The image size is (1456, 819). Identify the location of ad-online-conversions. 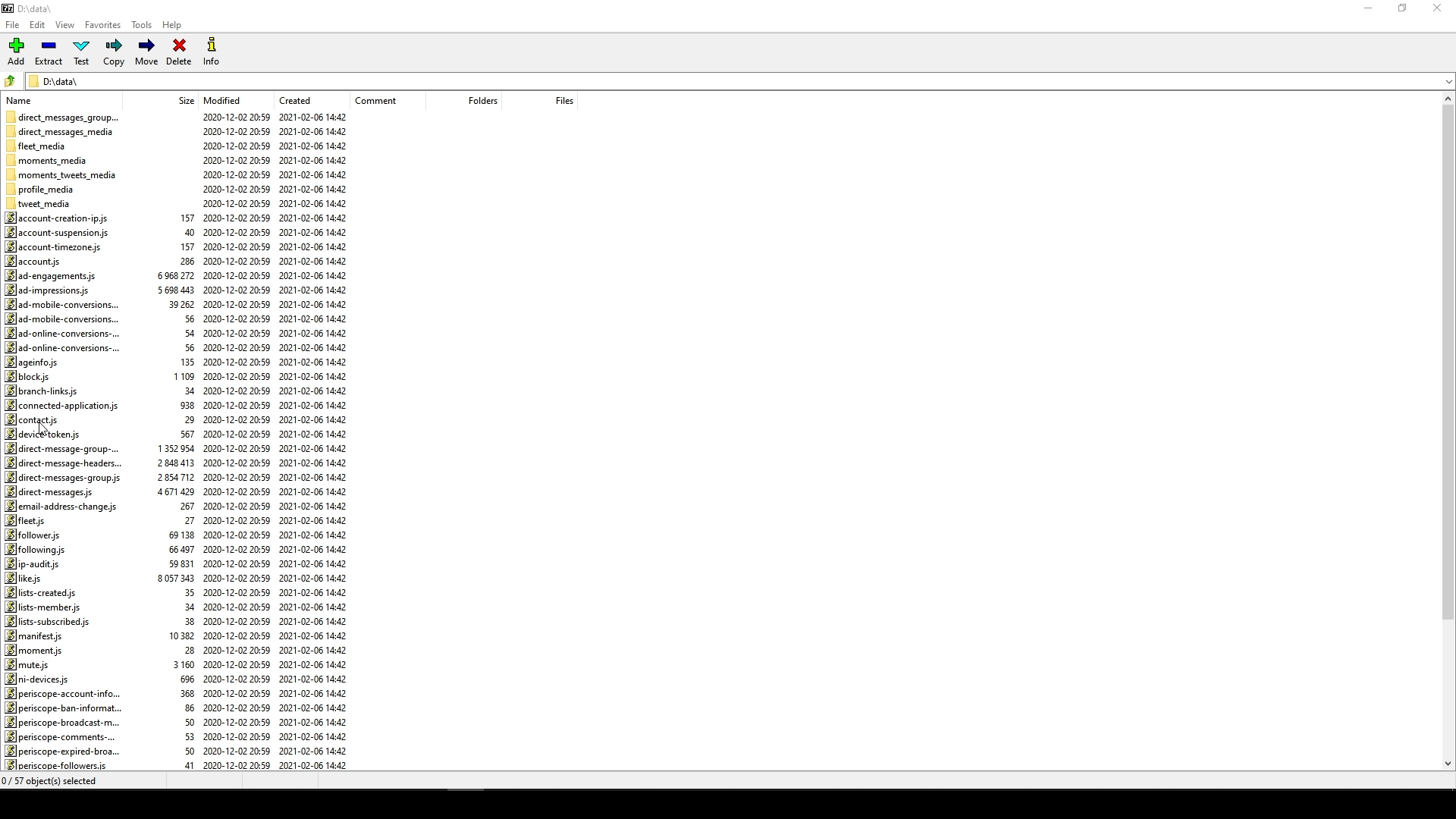
(63, 333).